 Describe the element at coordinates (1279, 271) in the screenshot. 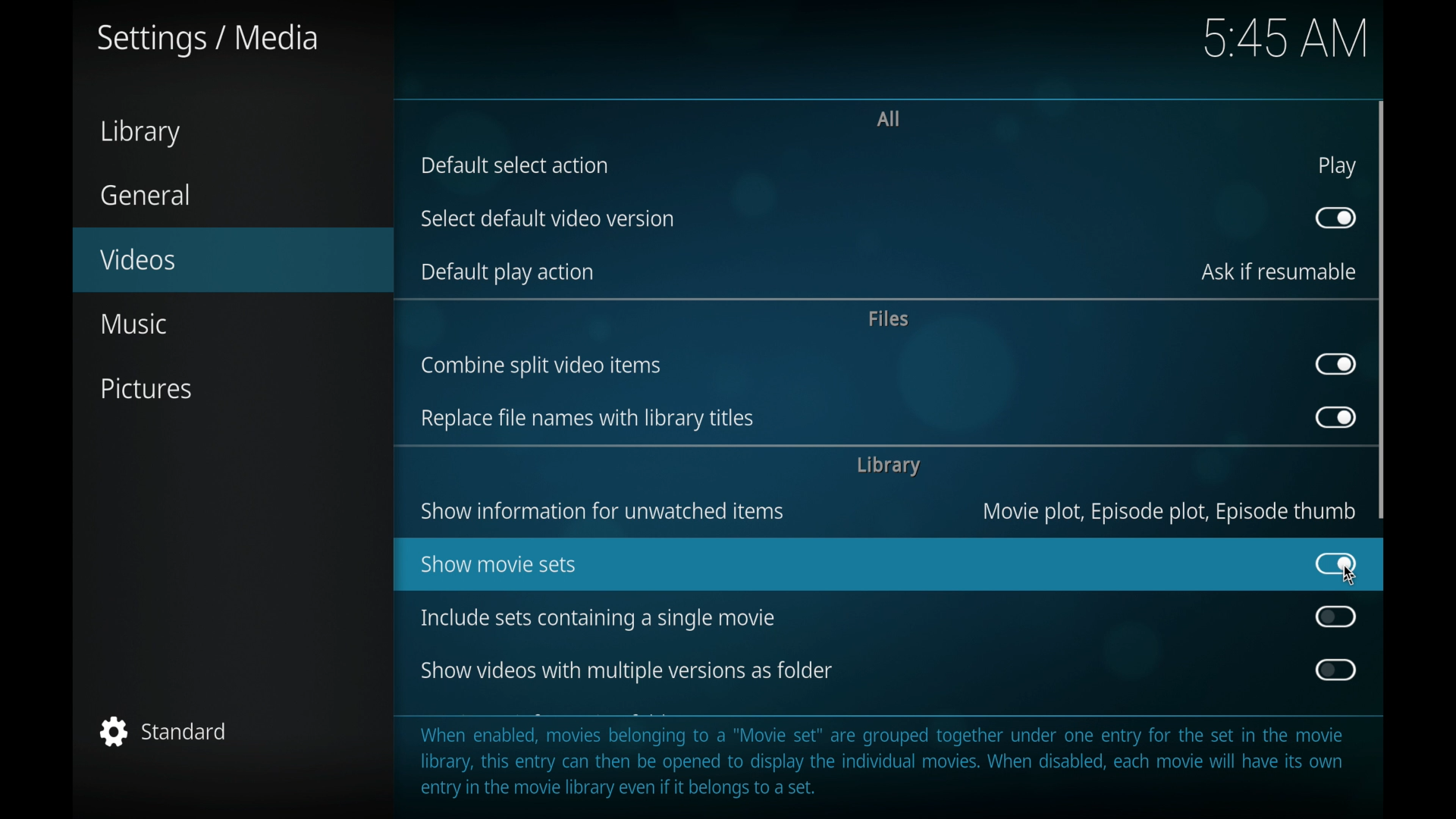

I see `ask if resumable` at that location.